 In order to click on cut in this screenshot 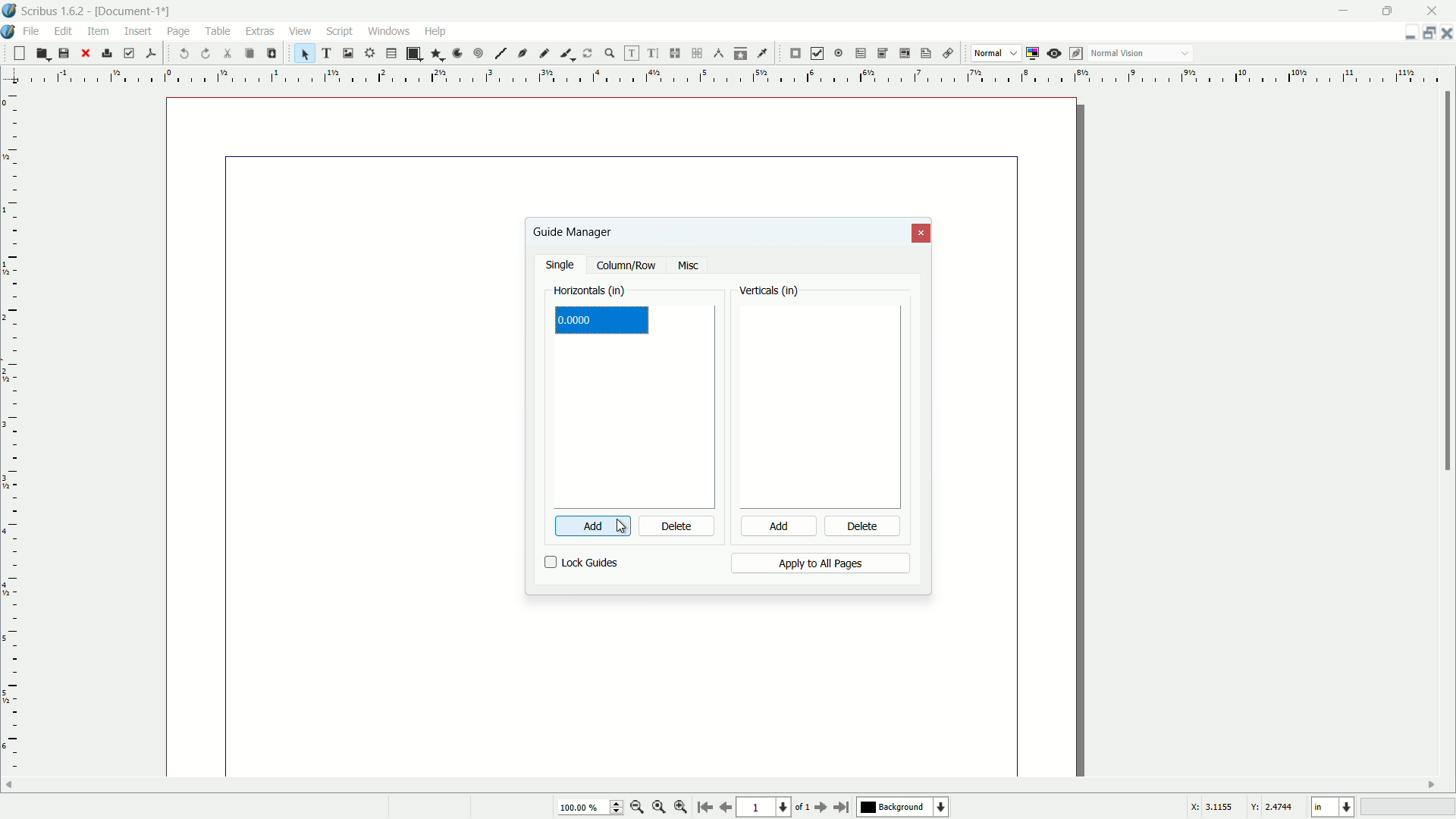, I will do `click(228, 53)`.